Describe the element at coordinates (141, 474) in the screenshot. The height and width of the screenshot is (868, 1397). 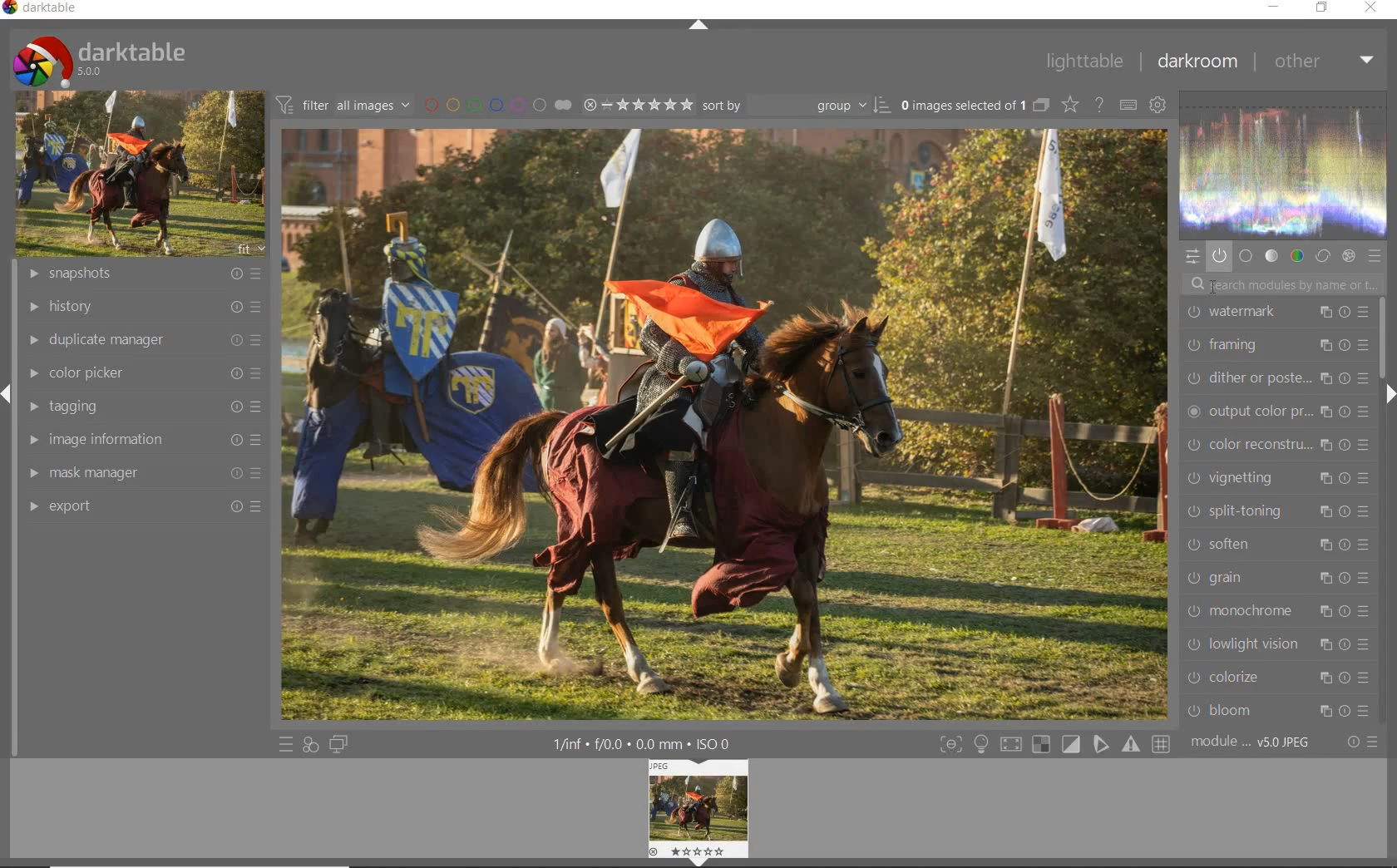
I see `mask manager` at that location.